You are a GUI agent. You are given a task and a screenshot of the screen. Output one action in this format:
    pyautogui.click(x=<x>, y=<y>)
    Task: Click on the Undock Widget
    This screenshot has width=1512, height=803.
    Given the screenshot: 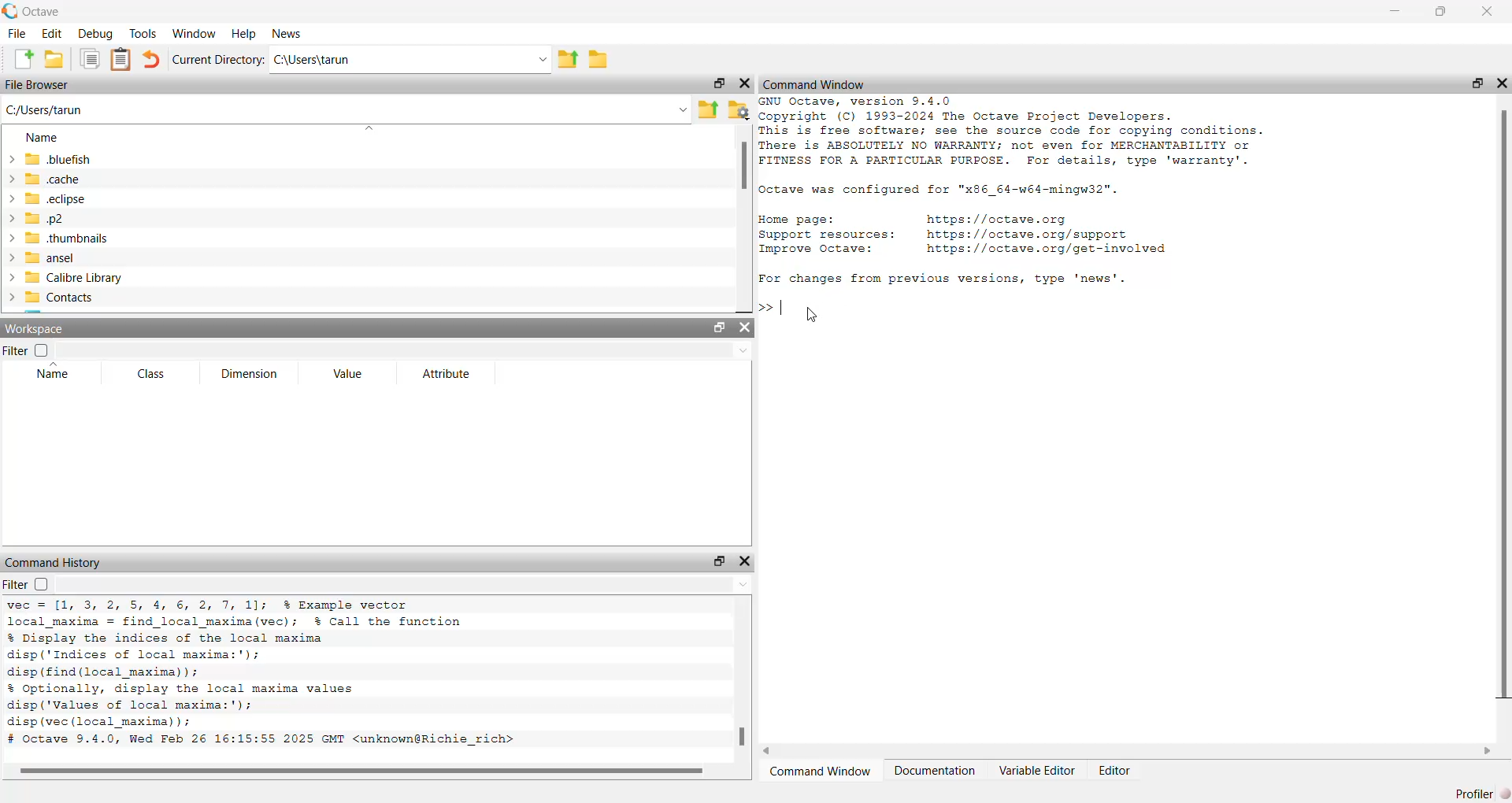 What is the action you would take?
    pyautogui.click(x=717, y=327)
    